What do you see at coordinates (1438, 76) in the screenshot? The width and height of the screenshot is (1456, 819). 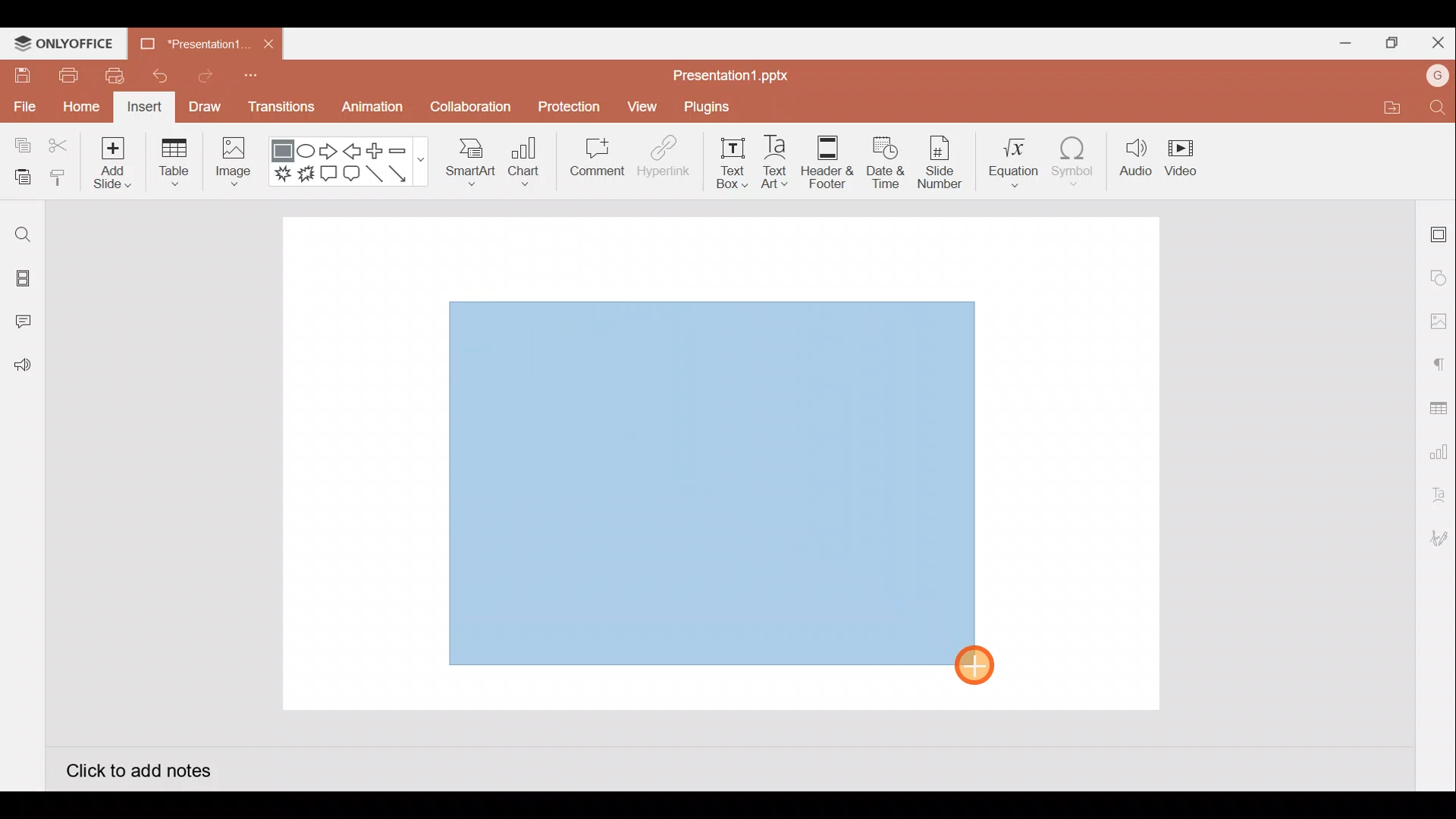 I see `Account name` at bounding box center [1438, 76].